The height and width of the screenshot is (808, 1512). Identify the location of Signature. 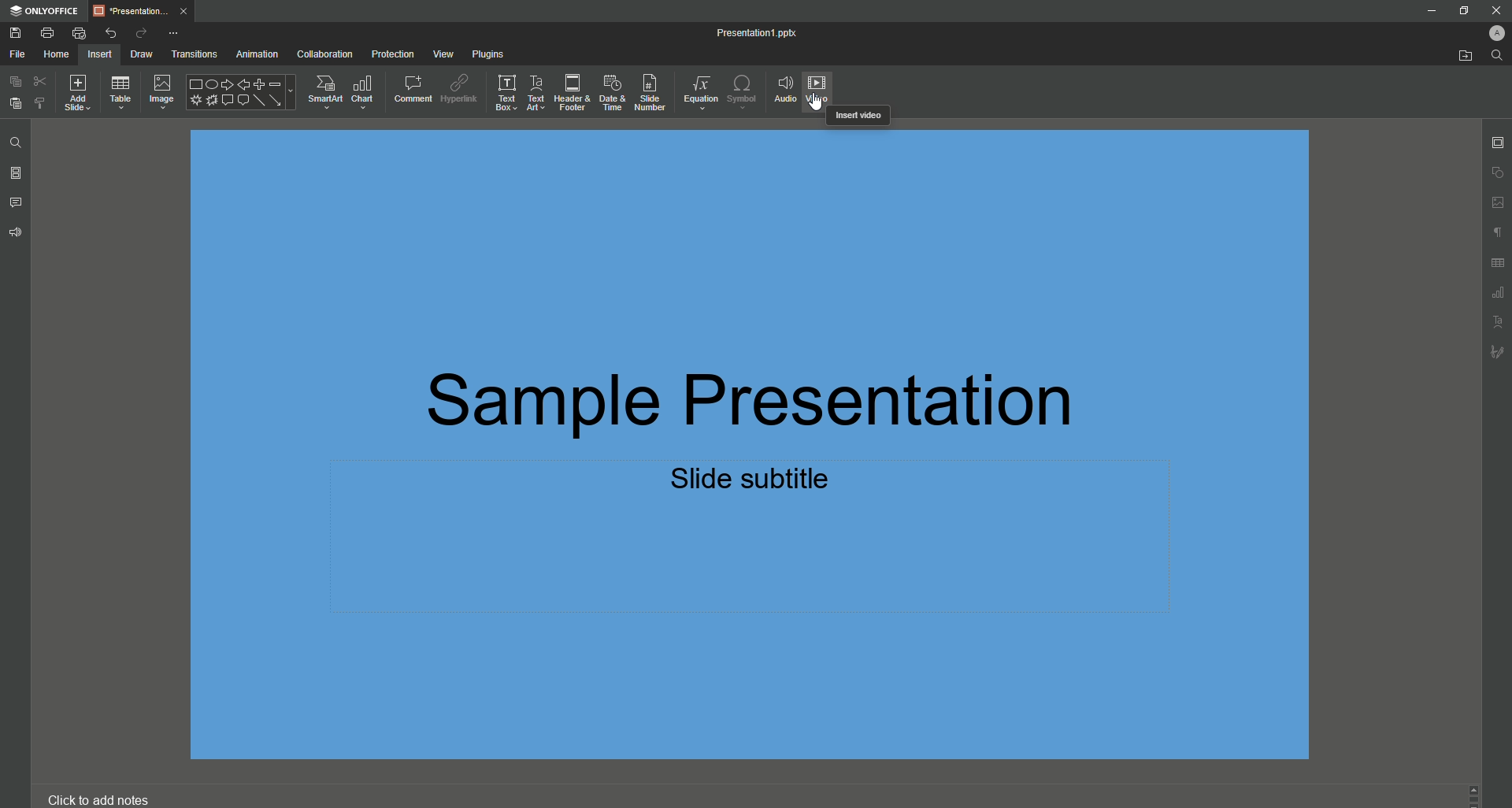
(1497, 351).